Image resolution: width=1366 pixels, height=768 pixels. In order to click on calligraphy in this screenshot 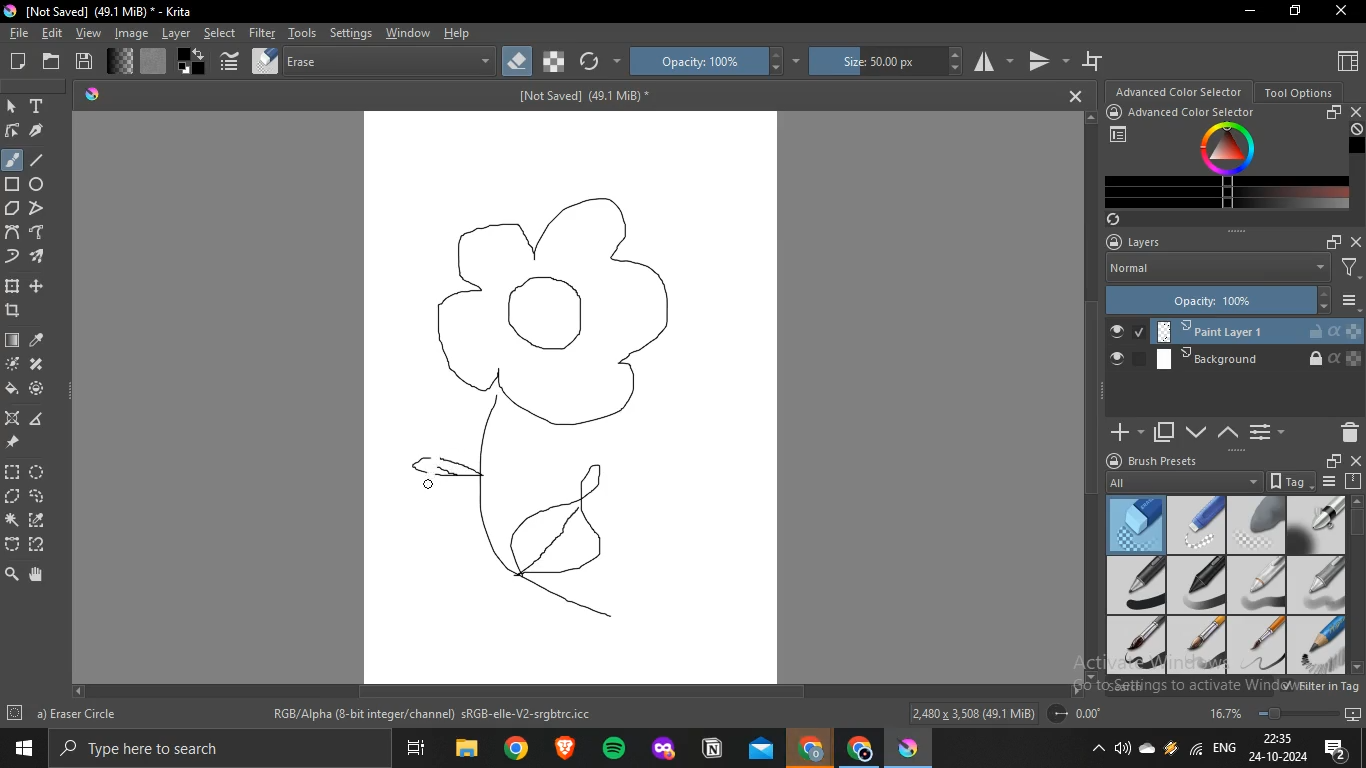, I will do `click(36, 131)`.